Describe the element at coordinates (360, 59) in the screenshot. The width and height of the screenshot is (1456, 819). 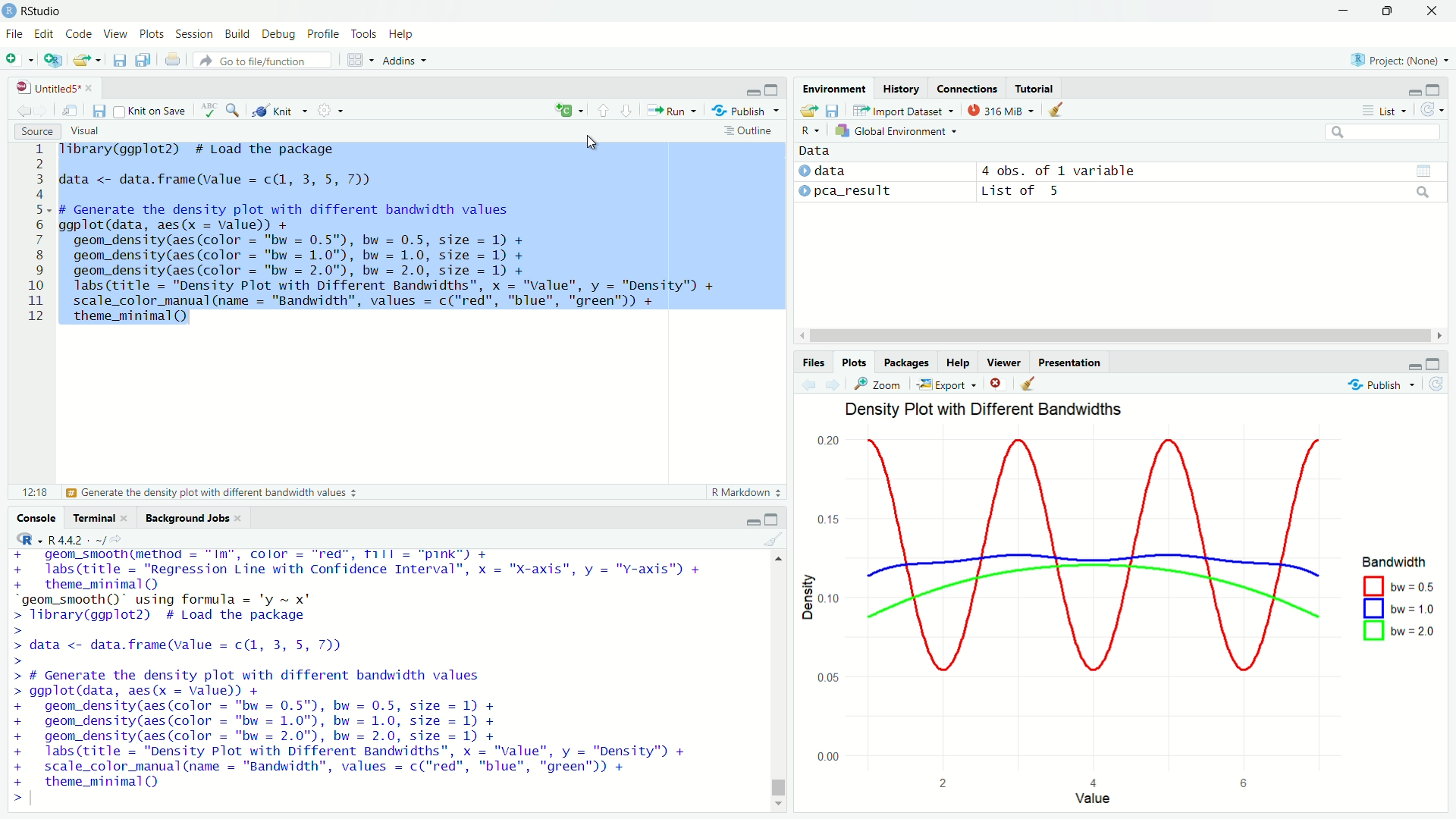
I see `Workspace panes` at that location.